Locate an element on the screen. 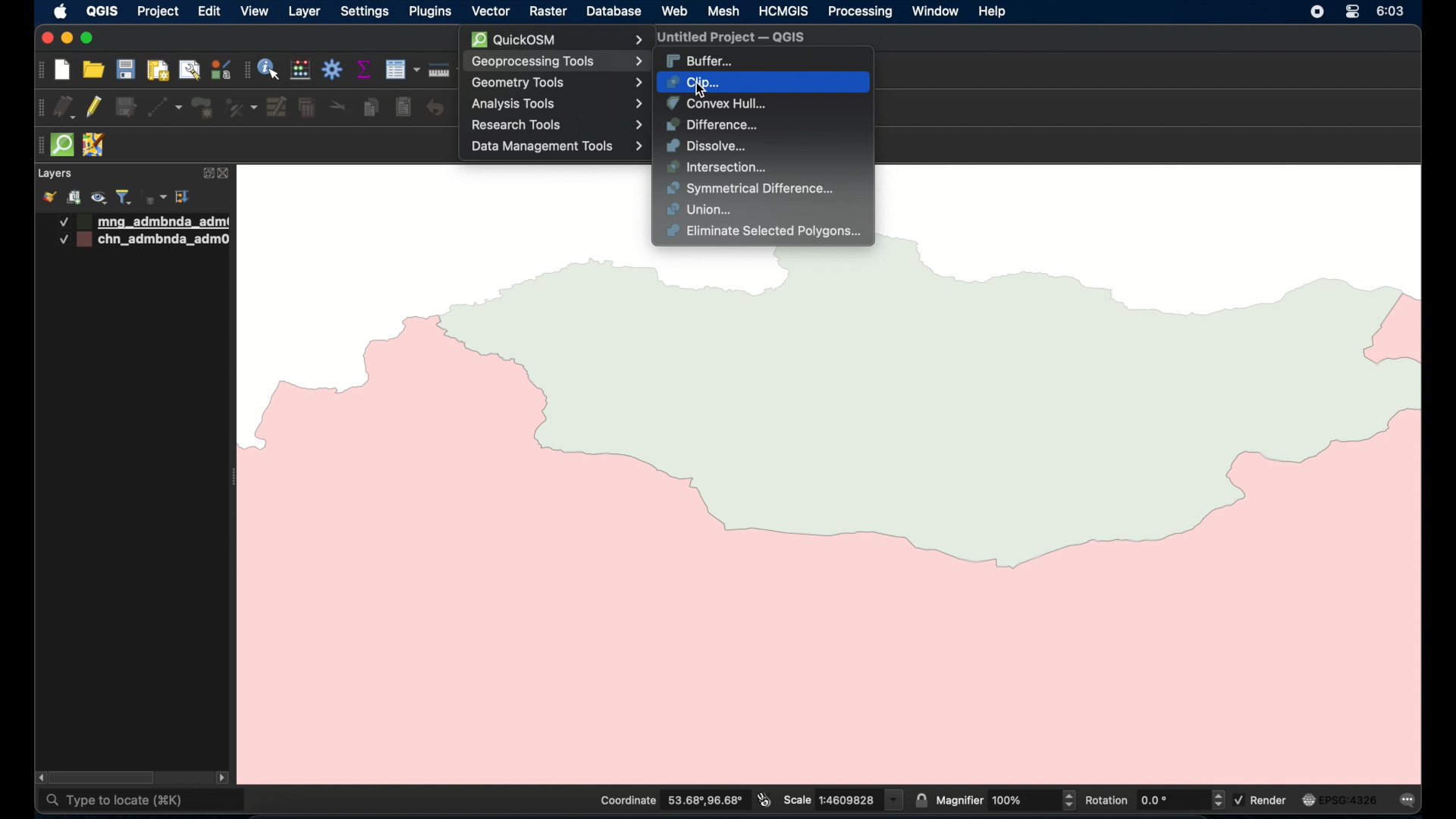 The height and width of the screenshot is (819, 1456). filter legend by expression is located at coordinates (155, 197).